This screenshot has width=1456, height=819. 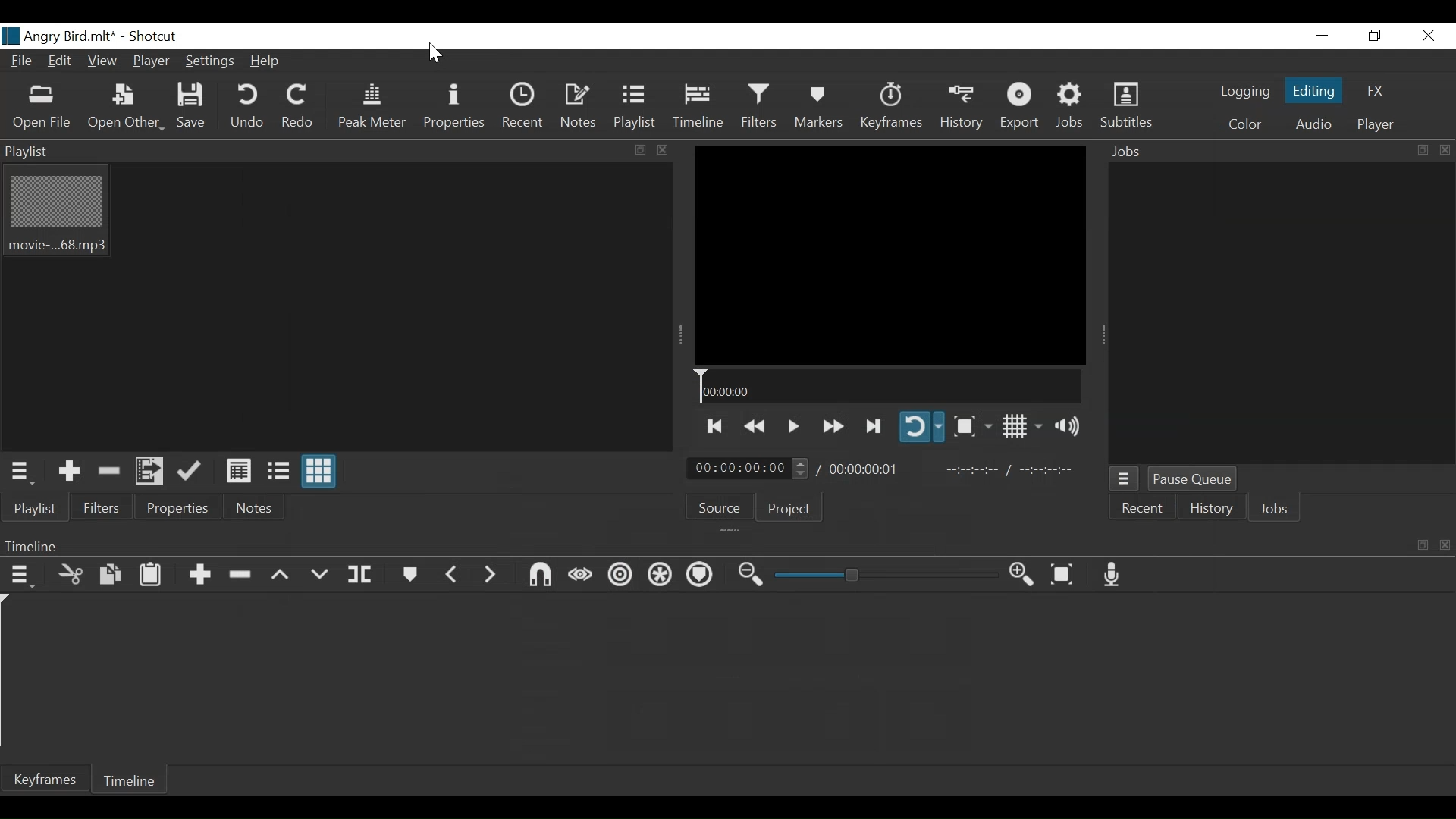 I want to click on Zoom to fit, so click(x=1064, y=574).